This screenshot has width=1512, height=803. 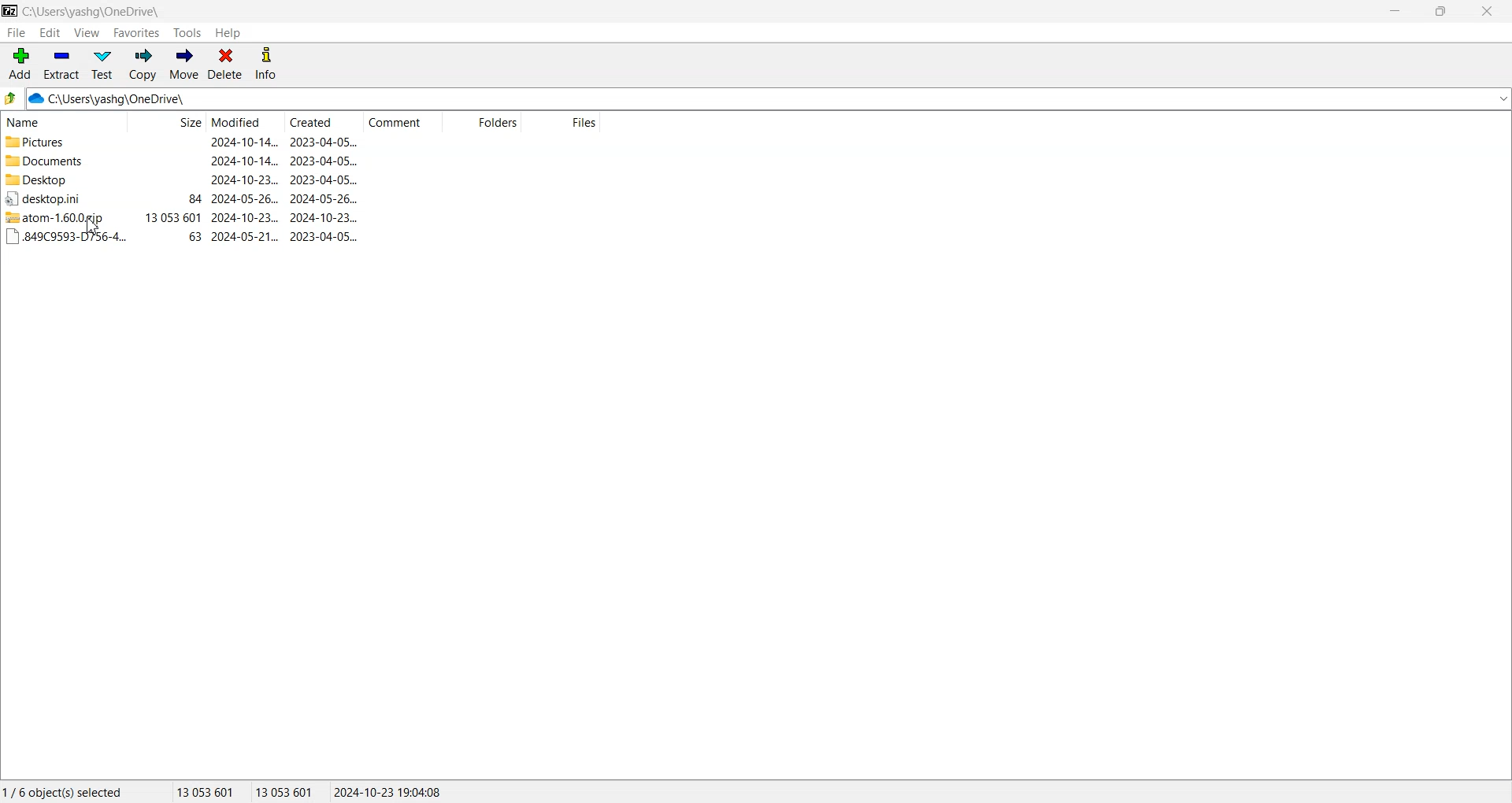 What do you see at coordinates (137, 32) in the screenshot?
I see `Favorites` at bounding box center [137, 32].